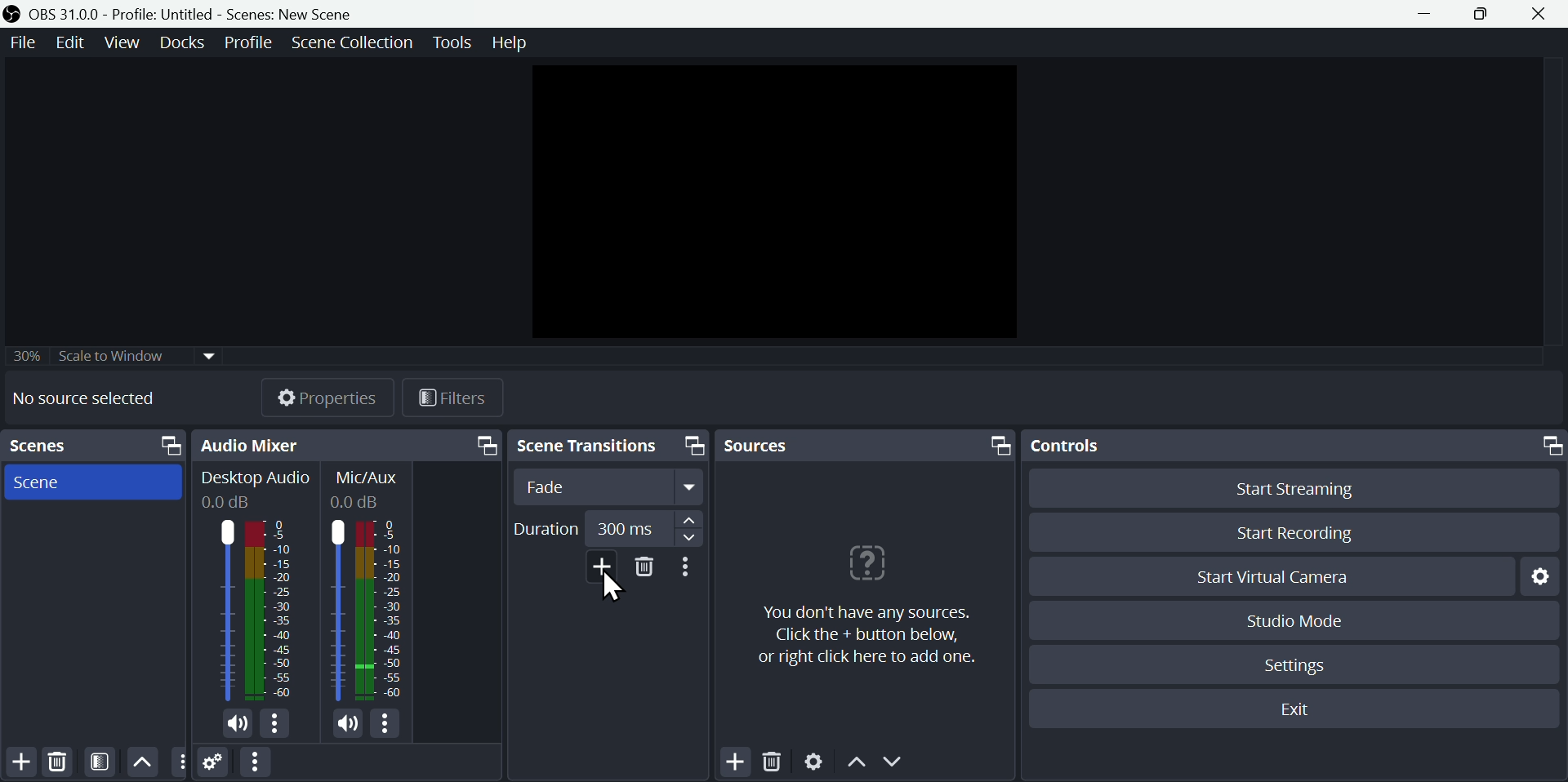 Image resolution: width=1568 pixels, height=782 pixels. What do you see at coordinates (866, 444) in the screenshot?
I see `Sources` at bounding box center [866, 444].